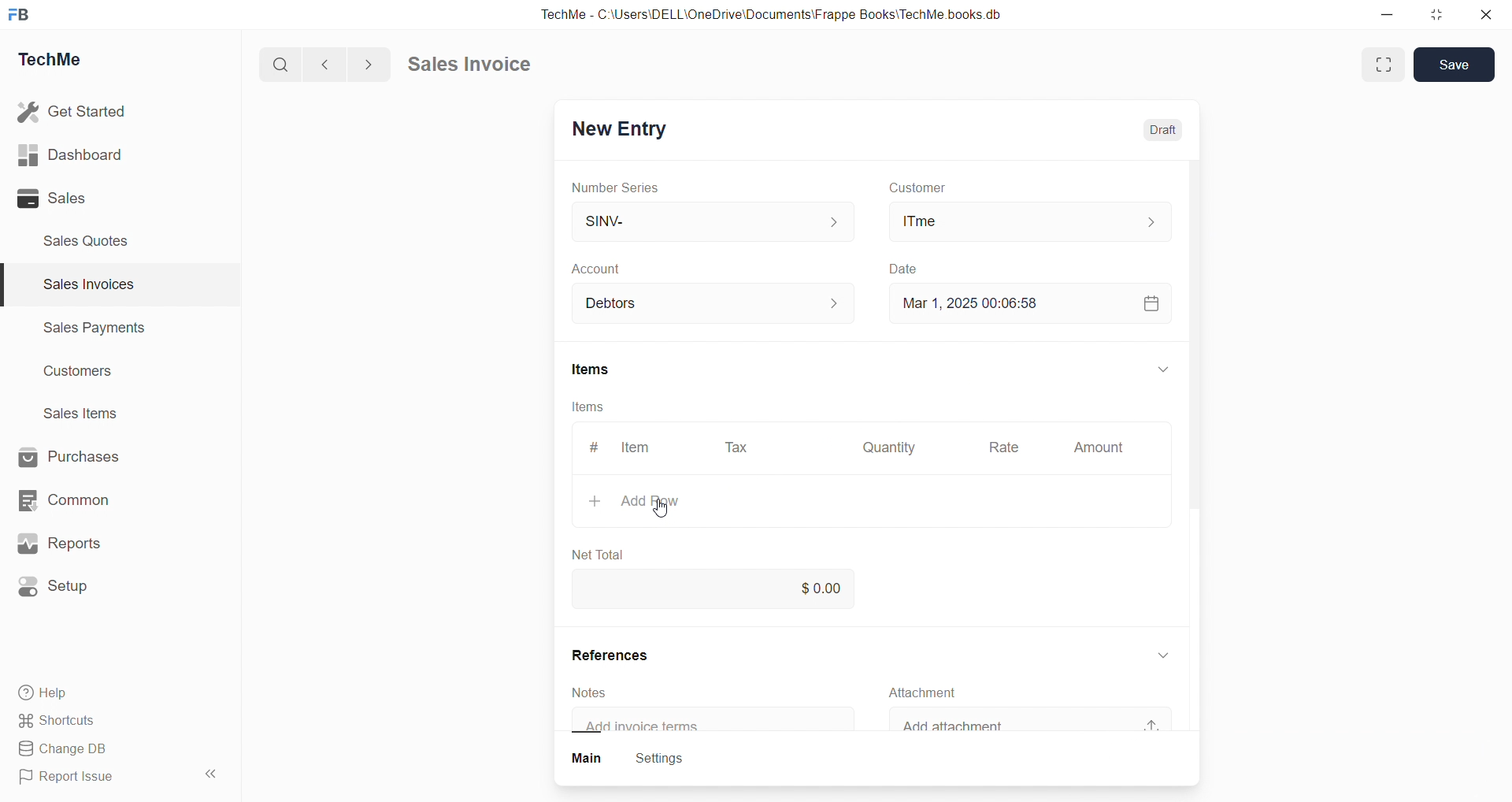 The image size is (1512, 802). What do you see at coordinates (82, 287) in the screenshot?
I see `Sales Invoices` at bounding box center [82, 287].